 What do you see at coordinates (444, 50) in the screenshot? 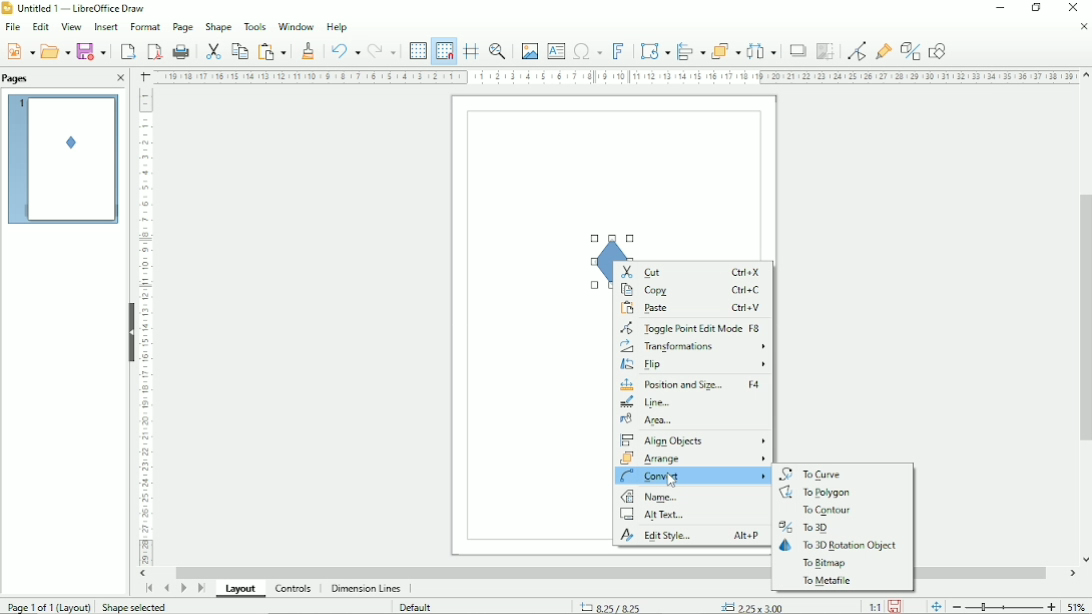
I see `Snap to grid` at bounding box center [444, 50].